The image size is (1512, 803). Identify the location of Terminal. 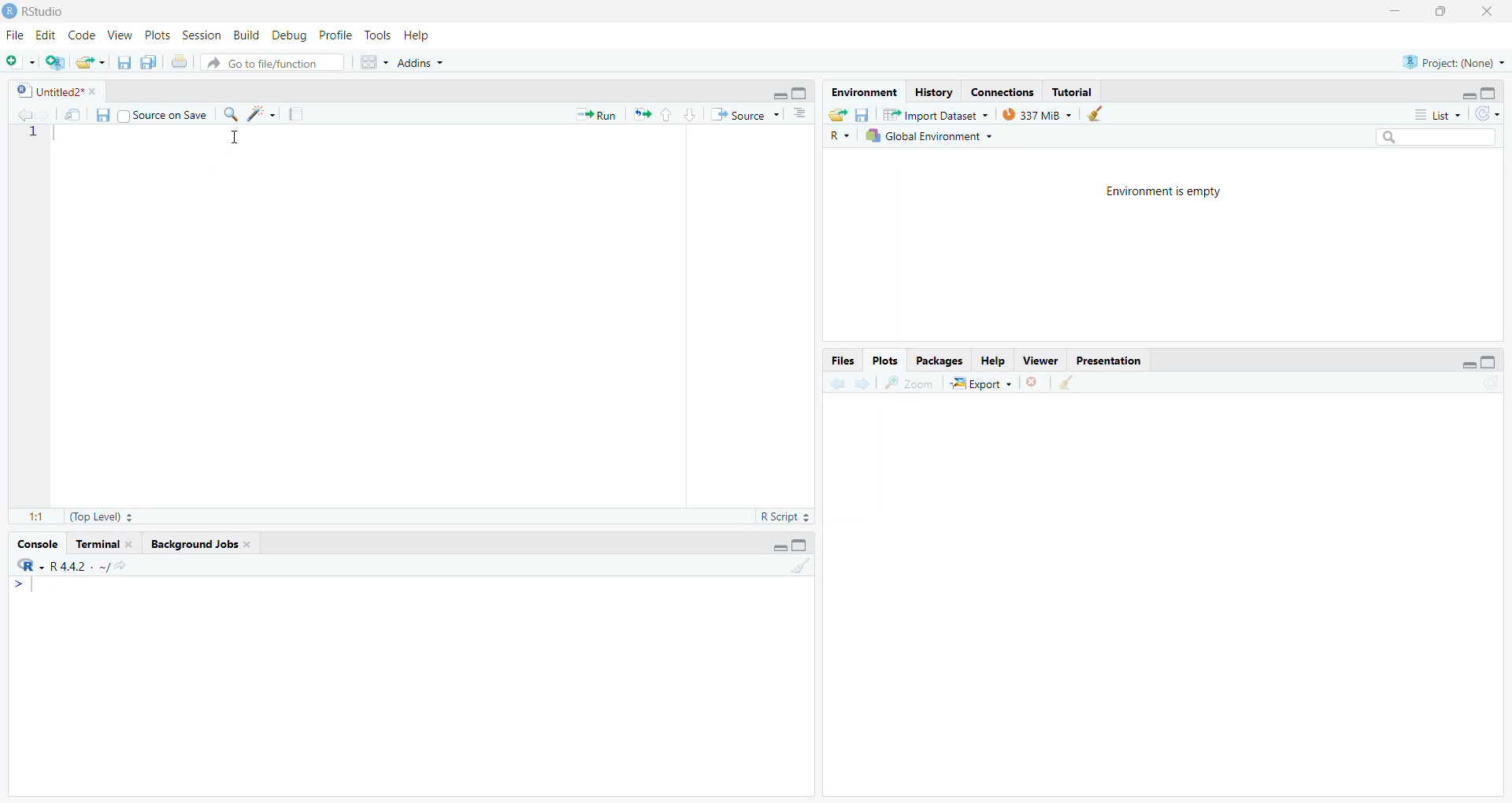
(106, 544).